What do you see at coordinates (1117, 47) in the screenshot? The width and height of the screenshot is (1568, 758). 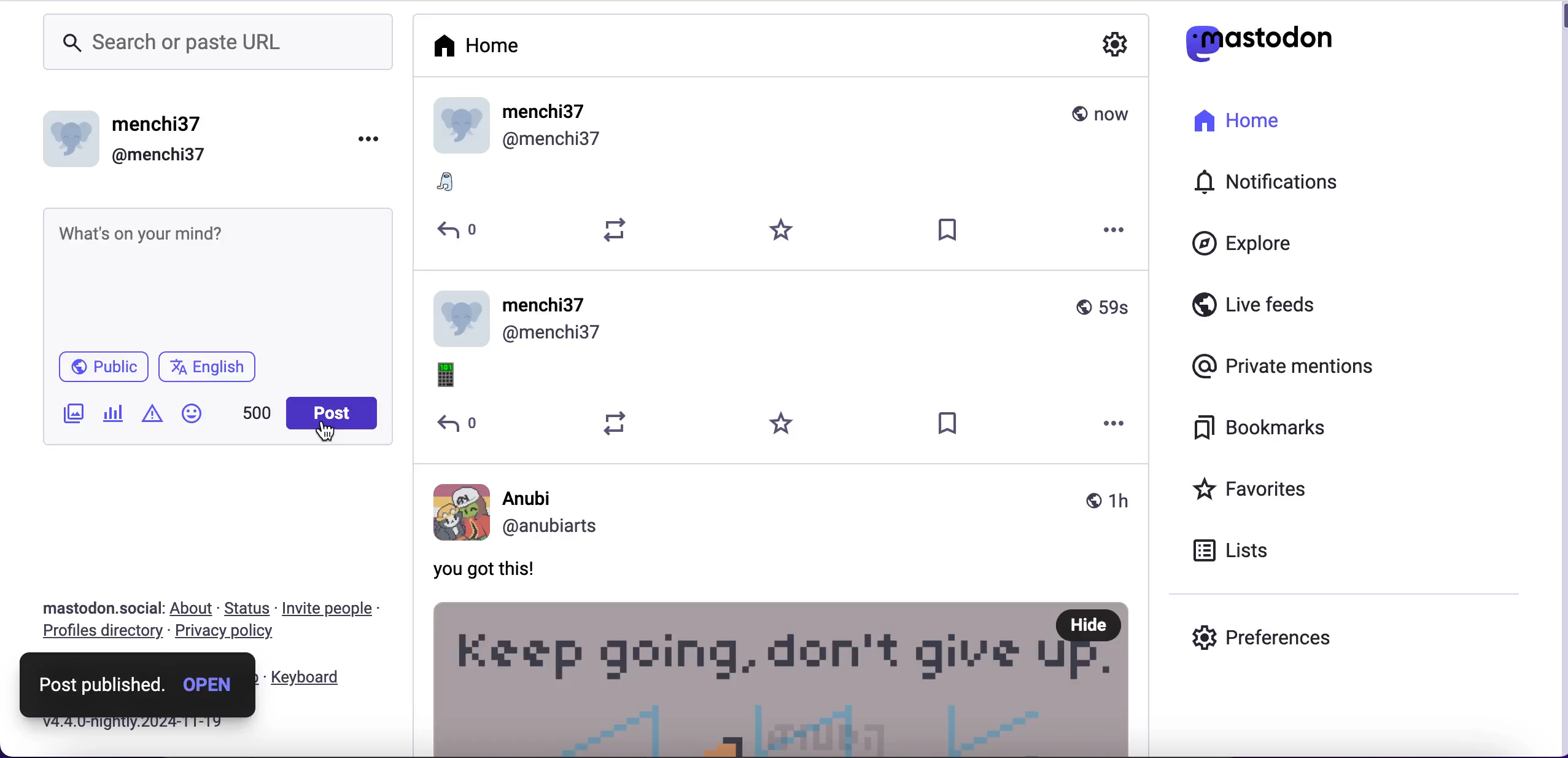 I see `configuration` at bounding box center [1117, 47].